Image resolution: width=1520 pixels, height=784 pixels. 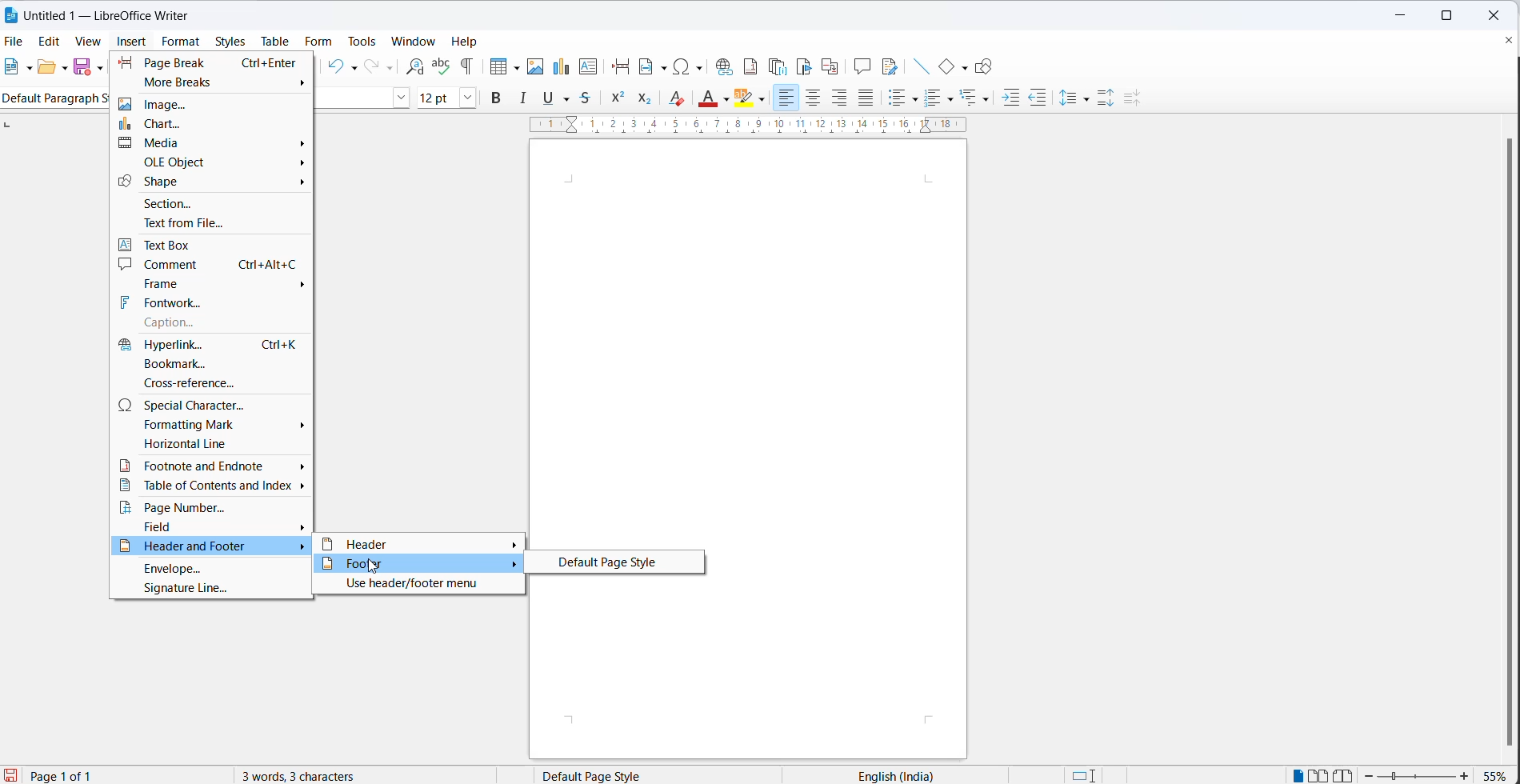 What do you see at coordinates (27, 70) in the screenshot?
I see `file options` at bounding box center [27, 70].